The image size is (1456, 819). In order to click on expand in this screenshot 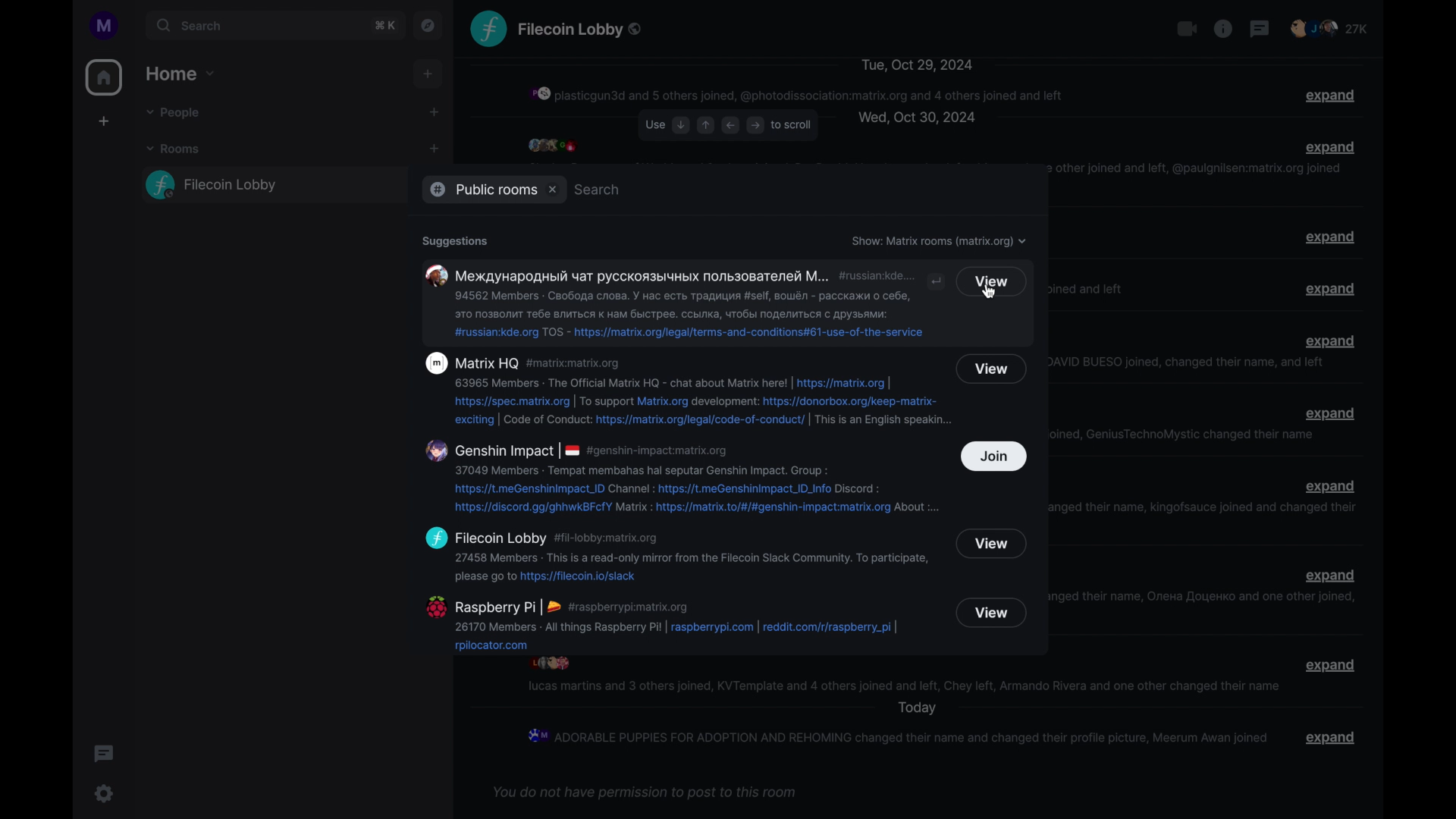, I will do `click(1329, 237)`.